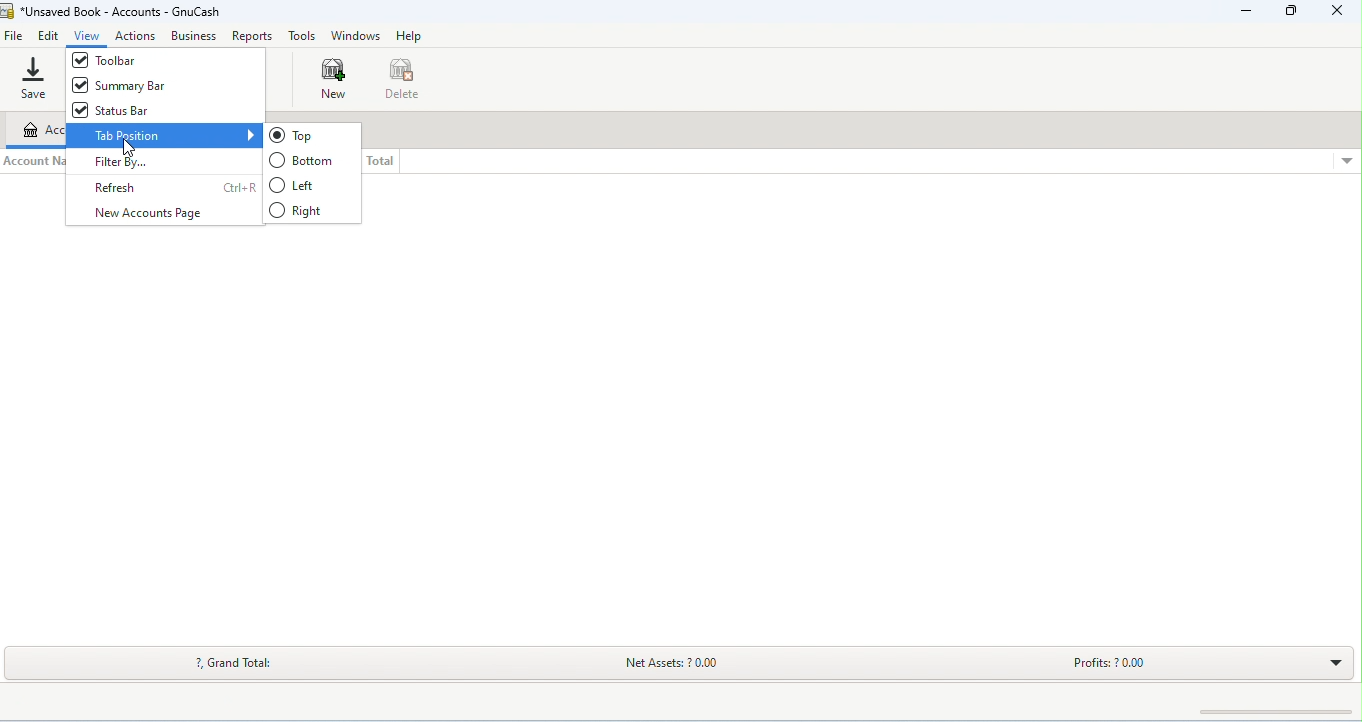  I want to click on help, so click(408, 35).